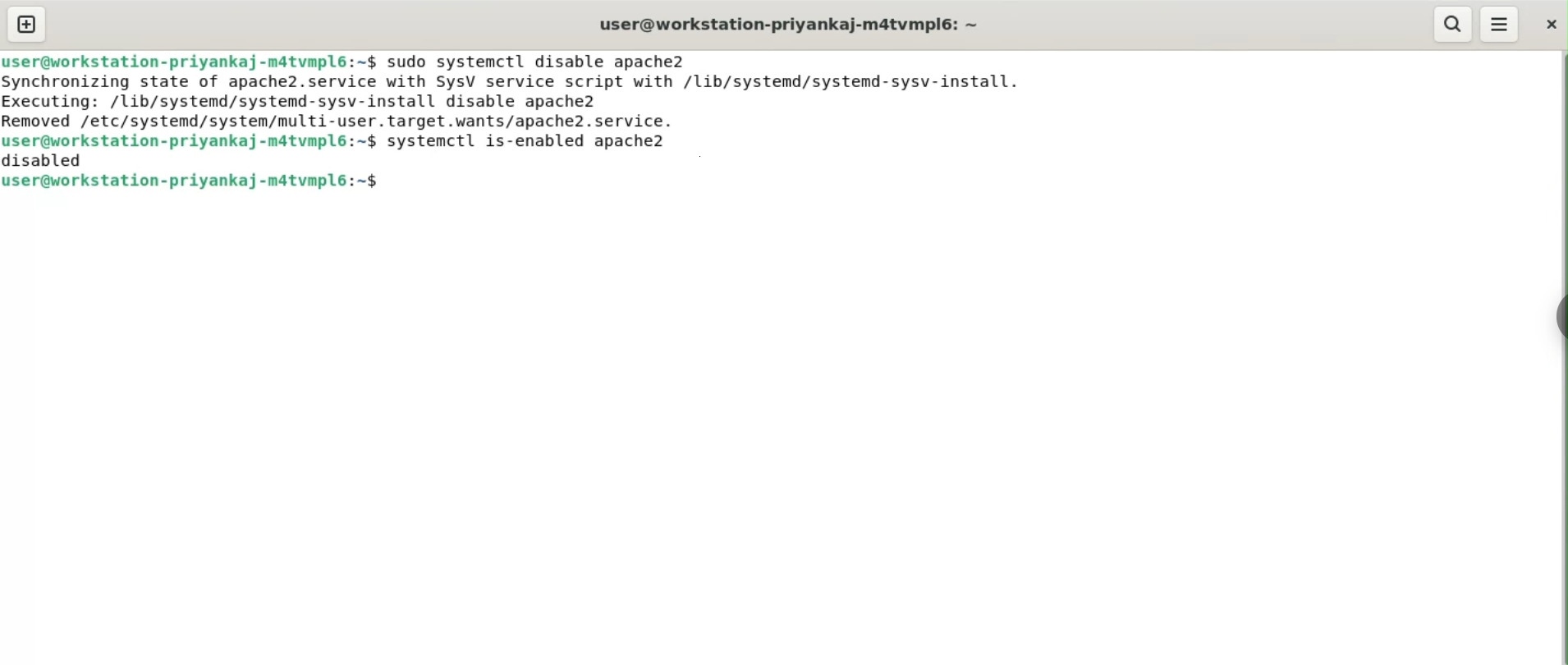 The height and width of the screenshot is (665, 1568). Describe the element at coordinates (1548, 25) in the screenshot. I see `close` at that location.